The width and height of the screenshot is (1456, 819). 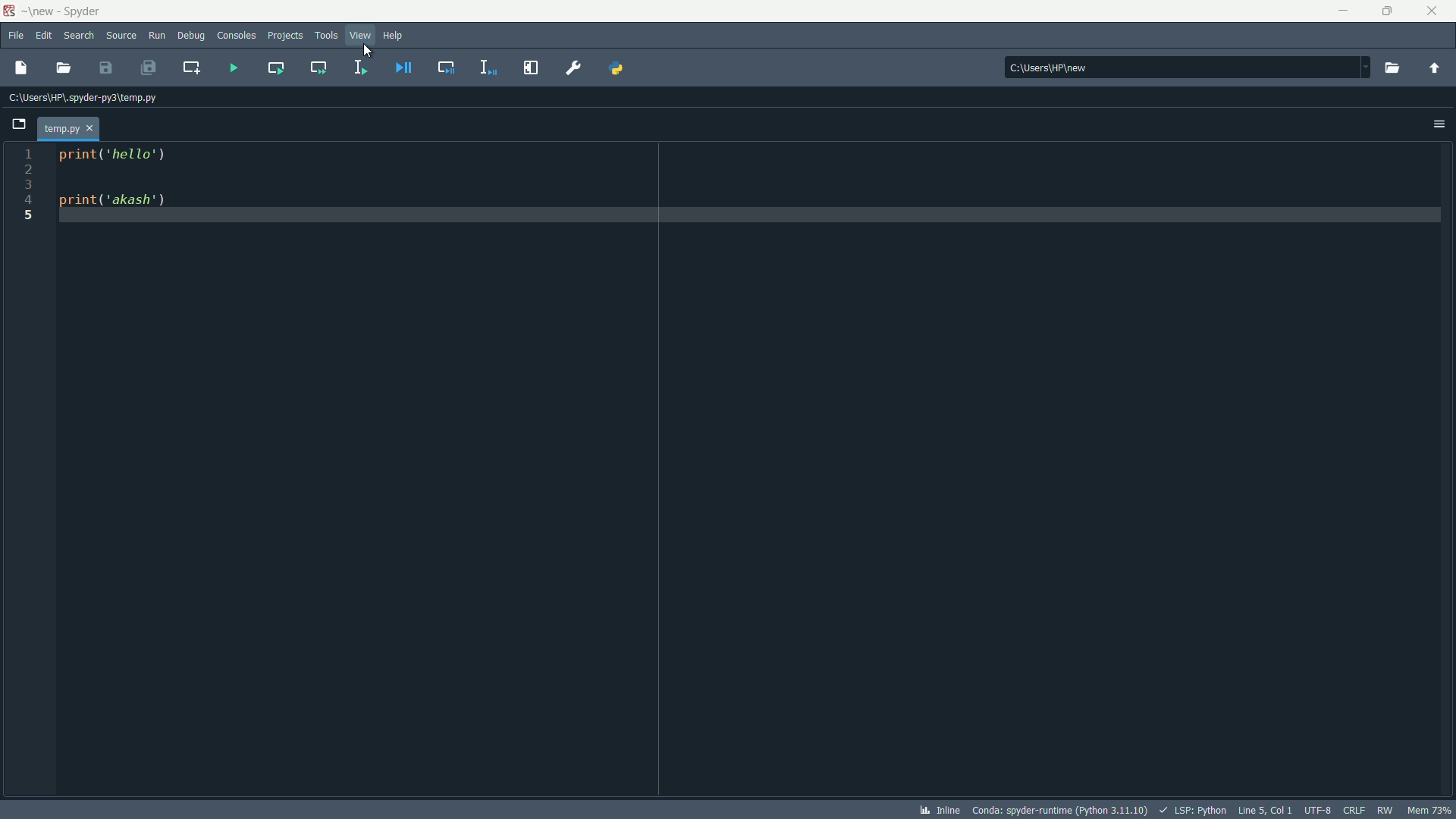 I want to click on debug file, so click(x=403, y=67).